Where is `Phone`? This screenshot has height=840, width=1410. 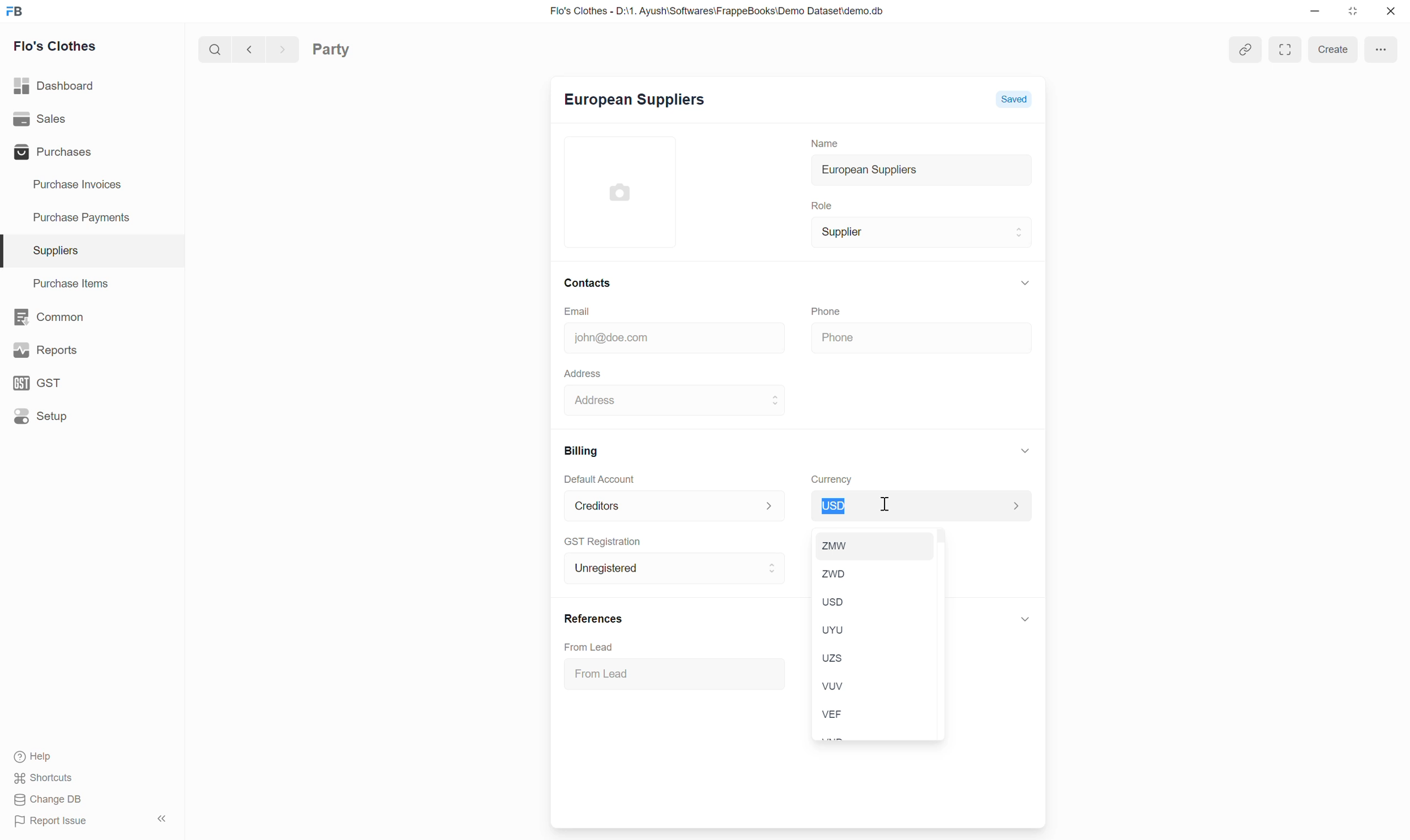 Phone is located at coordinates (863, 337).